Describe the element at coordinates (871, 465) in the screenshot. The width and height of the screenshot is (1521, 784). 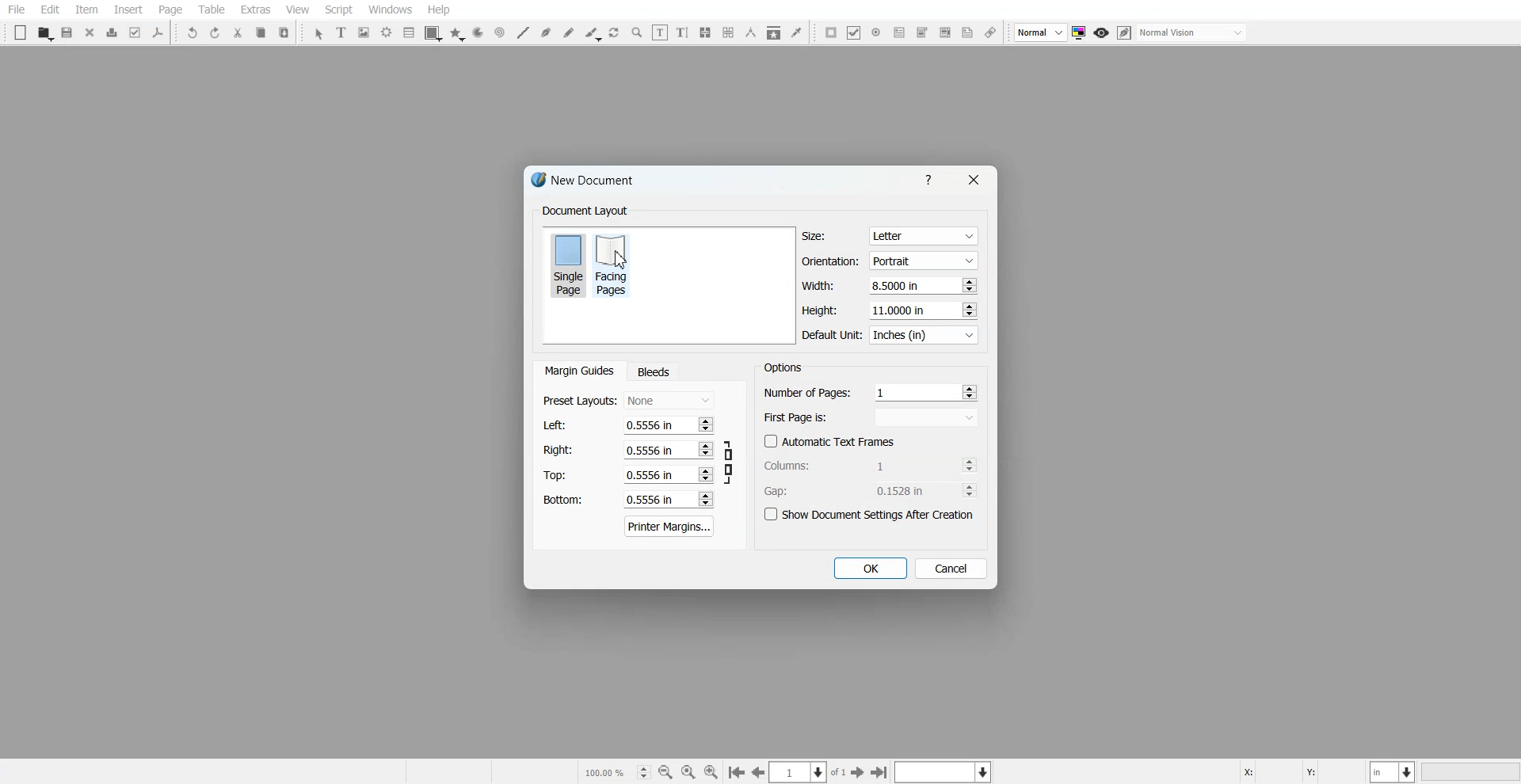
I see `Column adjuster` at that location.